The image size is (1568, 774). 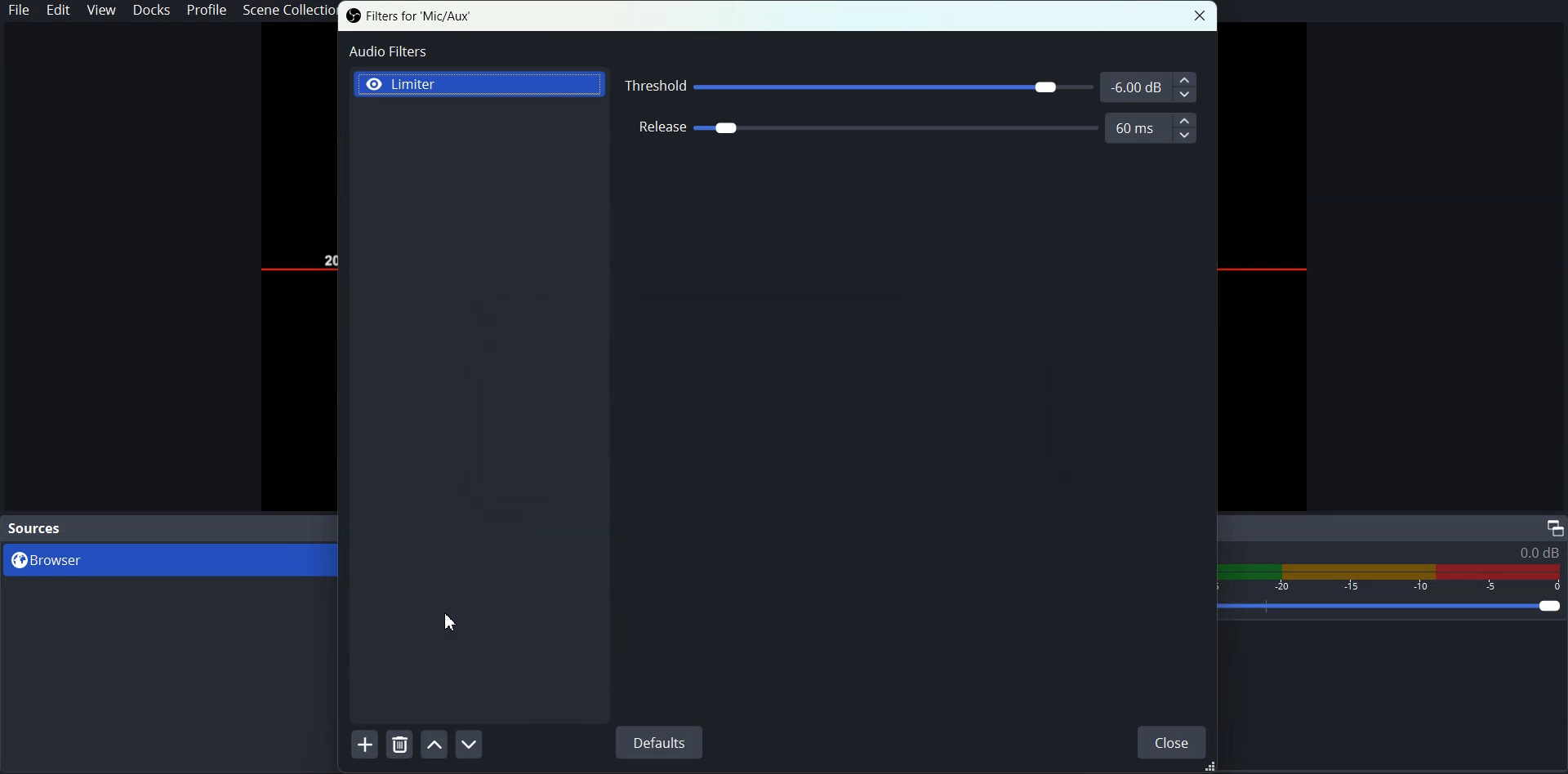 I want to click on Source , so click(x=37, y=527).